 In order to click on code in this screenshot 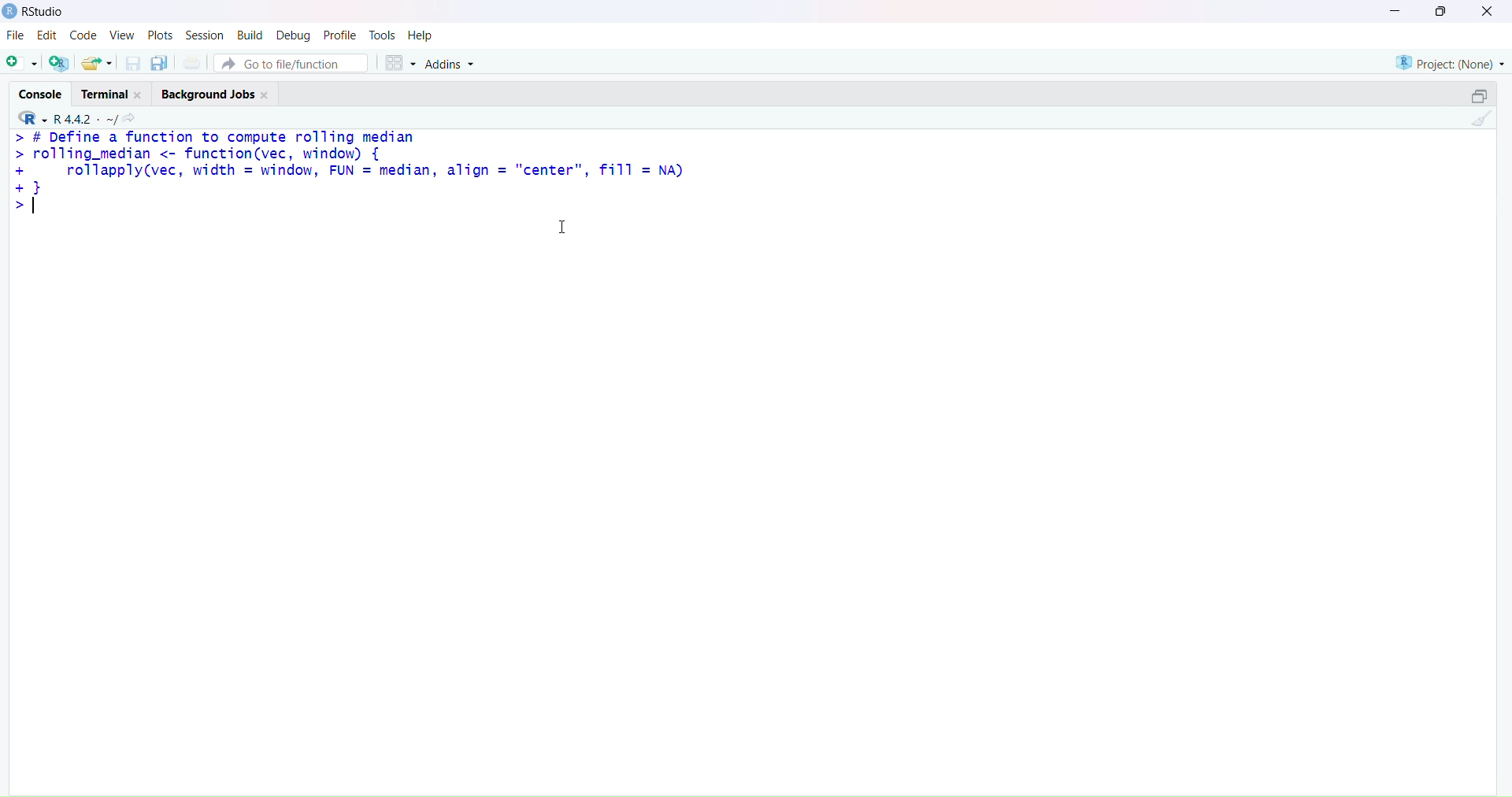, I will do `click(84, 35)`.